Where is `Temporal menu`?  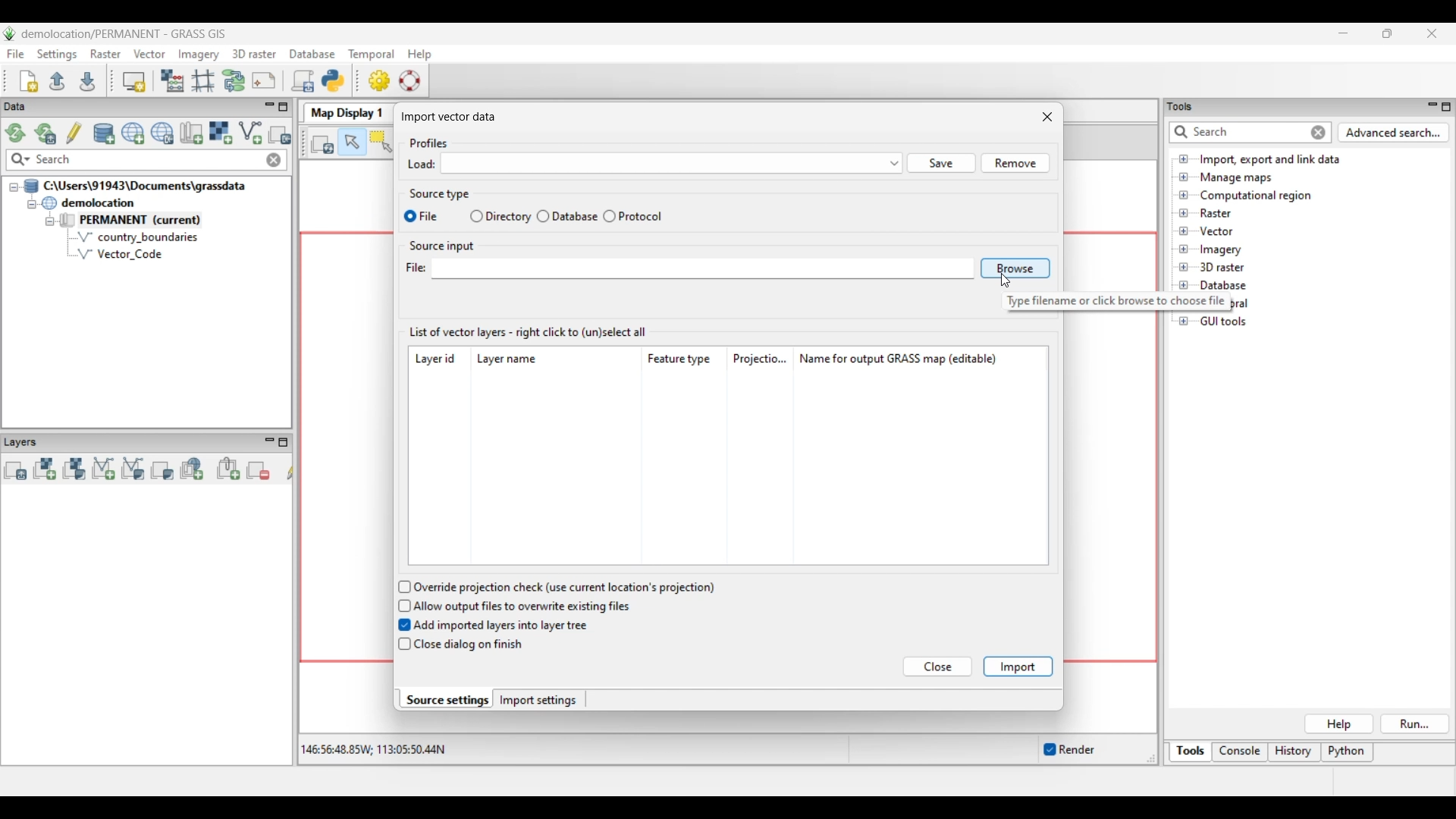 Temporal menu is located at coordinates (371, 55).